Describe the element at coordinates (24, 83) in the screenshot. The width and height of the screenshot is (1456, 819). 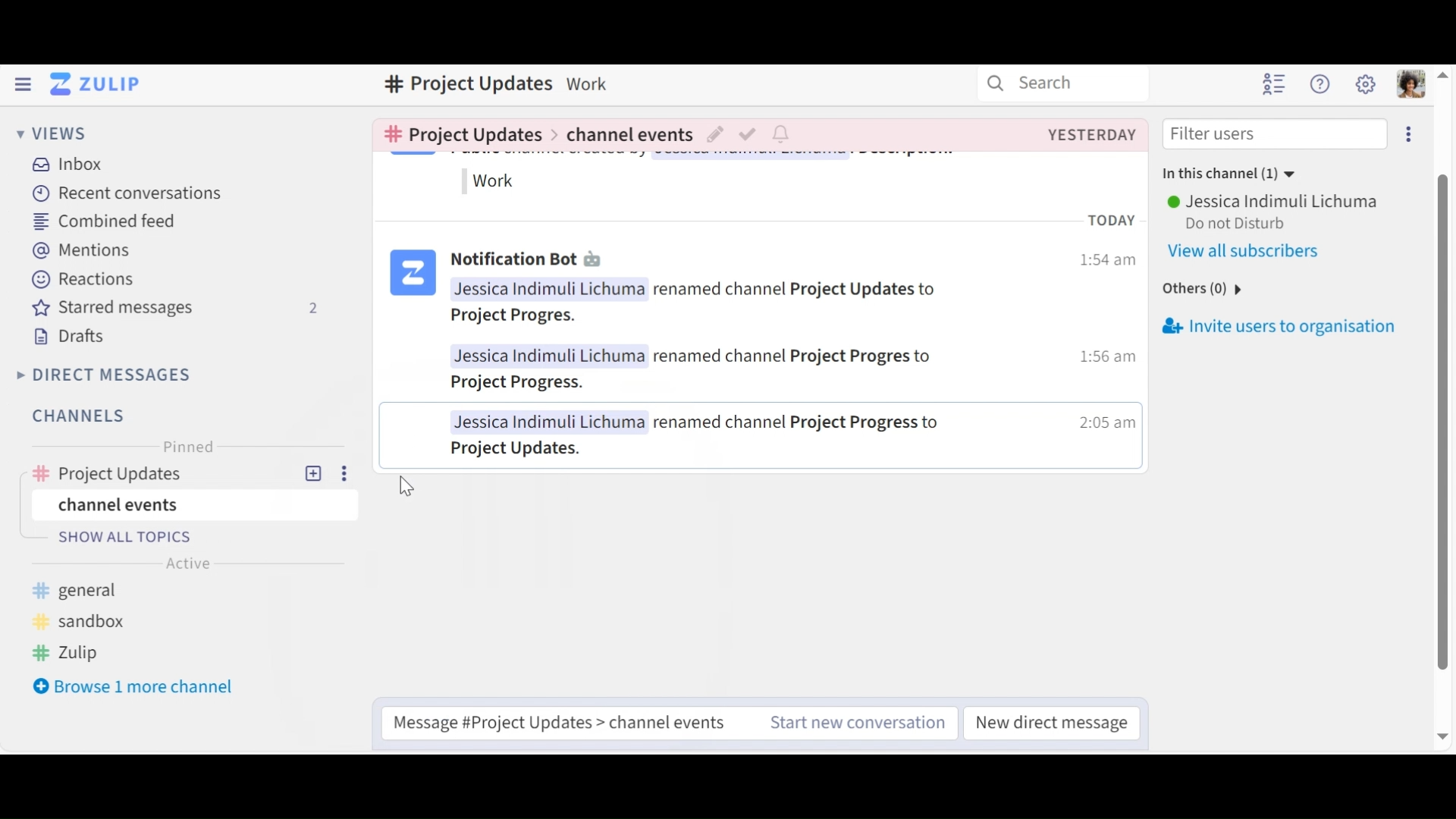
I see `Hide Left Sidebar` at that location.